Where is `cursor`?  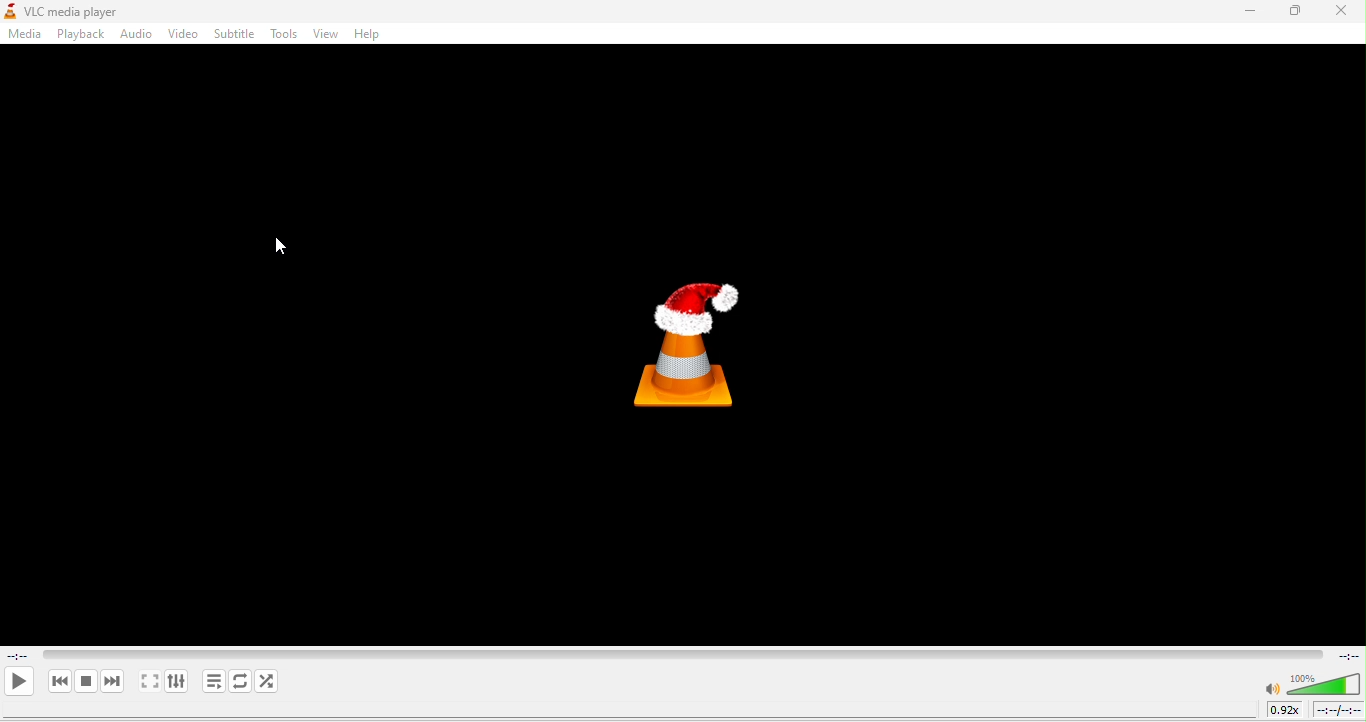 cursor is located at coordinates (280, 248).